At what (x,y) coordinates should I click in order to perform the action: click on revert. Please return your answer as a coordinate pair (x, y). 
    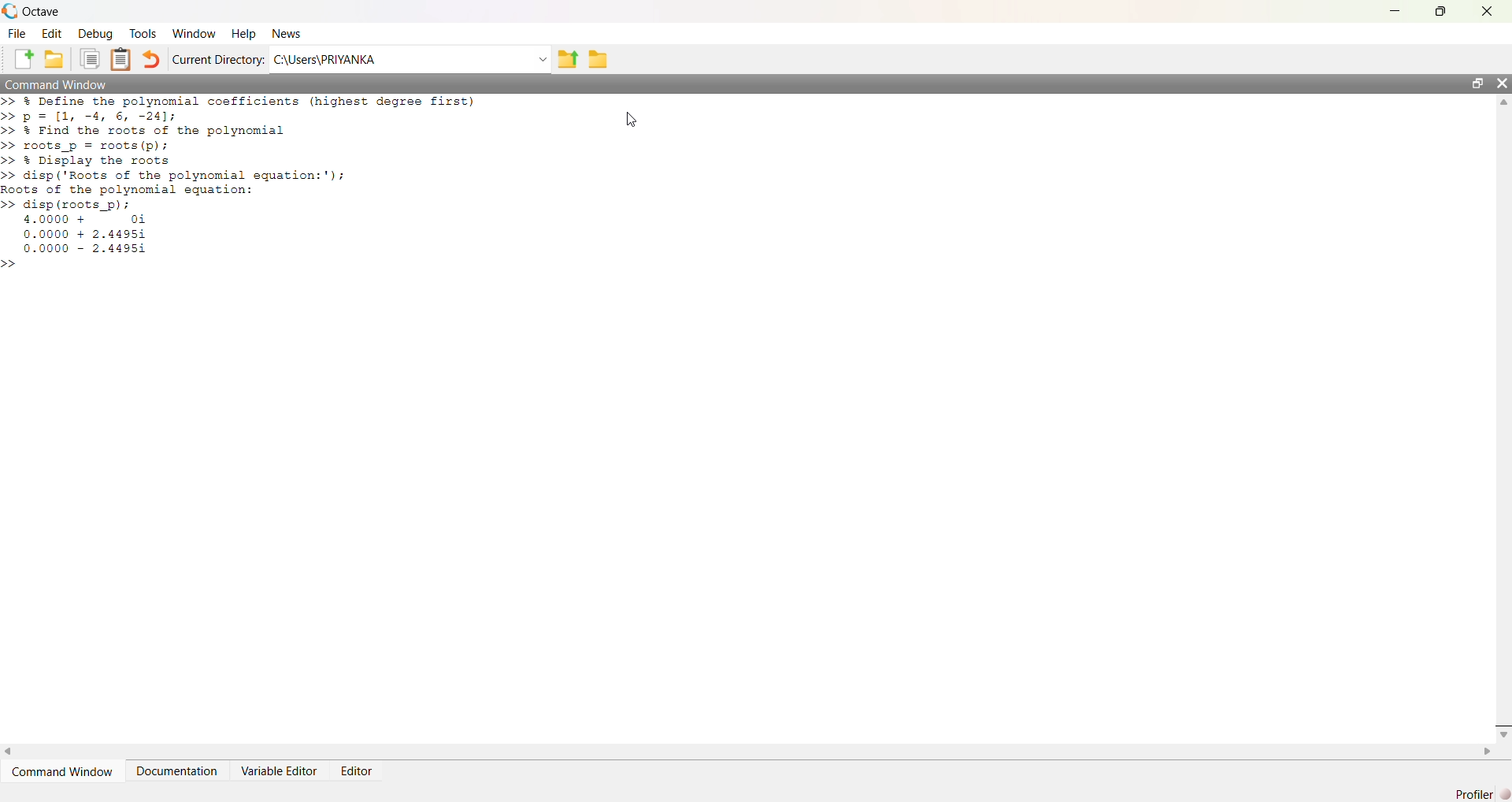
    Looking at the image, I should click on (151, 61).